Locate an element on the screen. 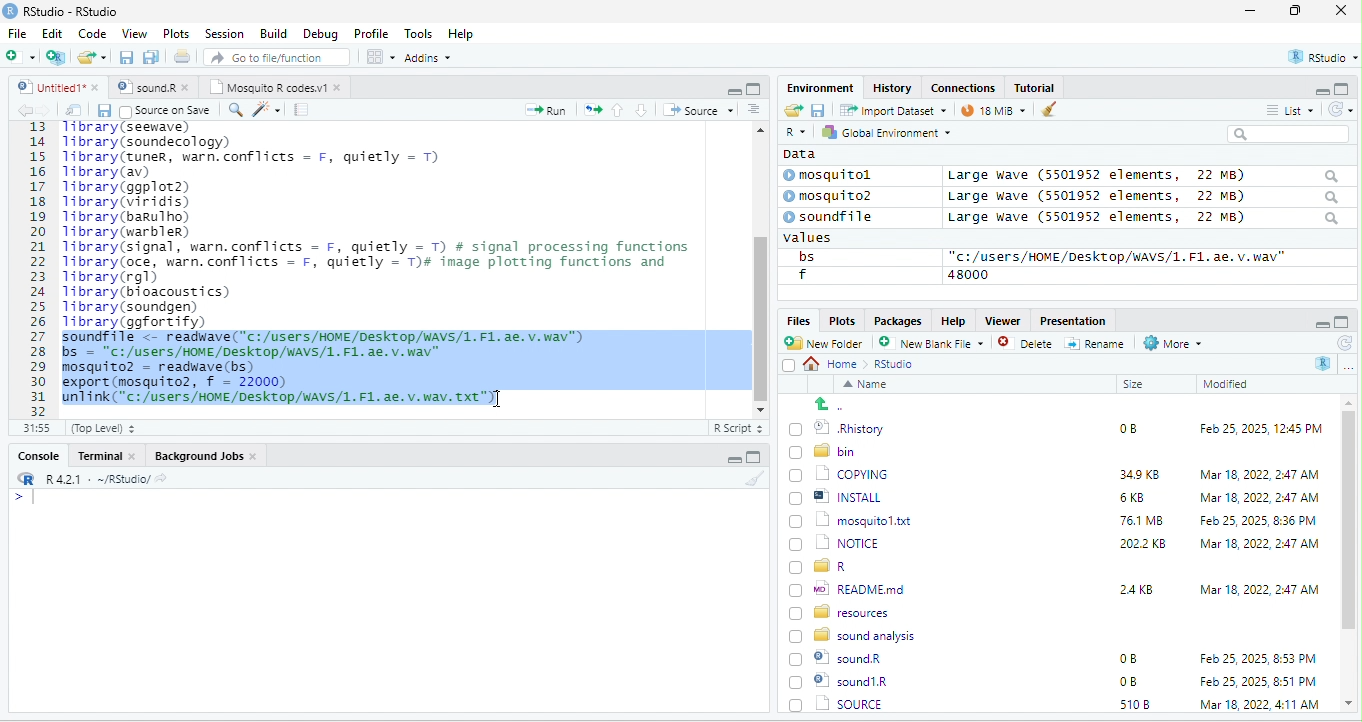 The width and height of the screenshot is (1362, 722). Uninstall.exe is located at coordinates (849, 703).